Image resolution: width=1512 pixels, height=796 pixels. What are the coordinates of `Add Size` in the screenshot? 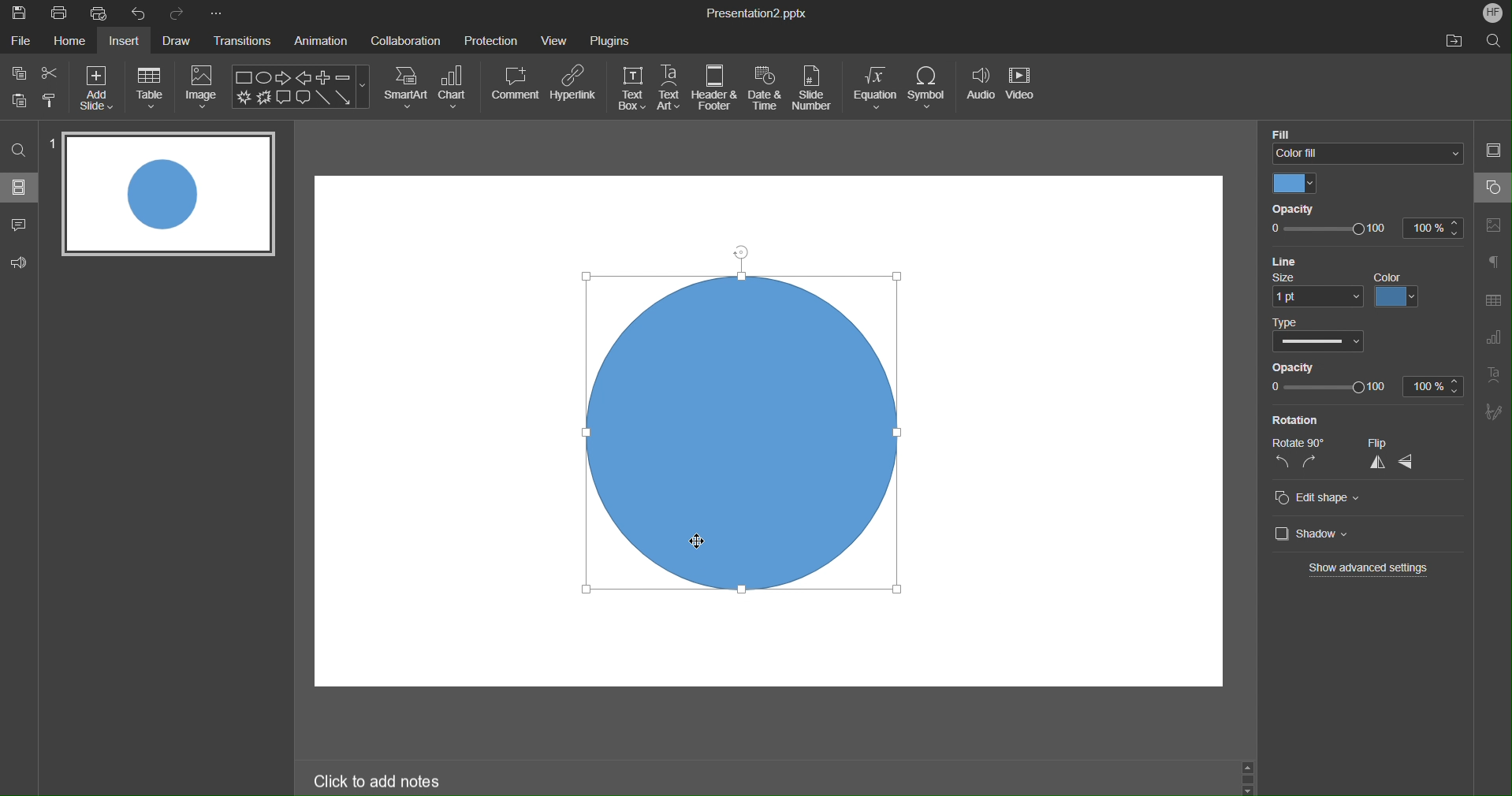 It's located at (96, 87).